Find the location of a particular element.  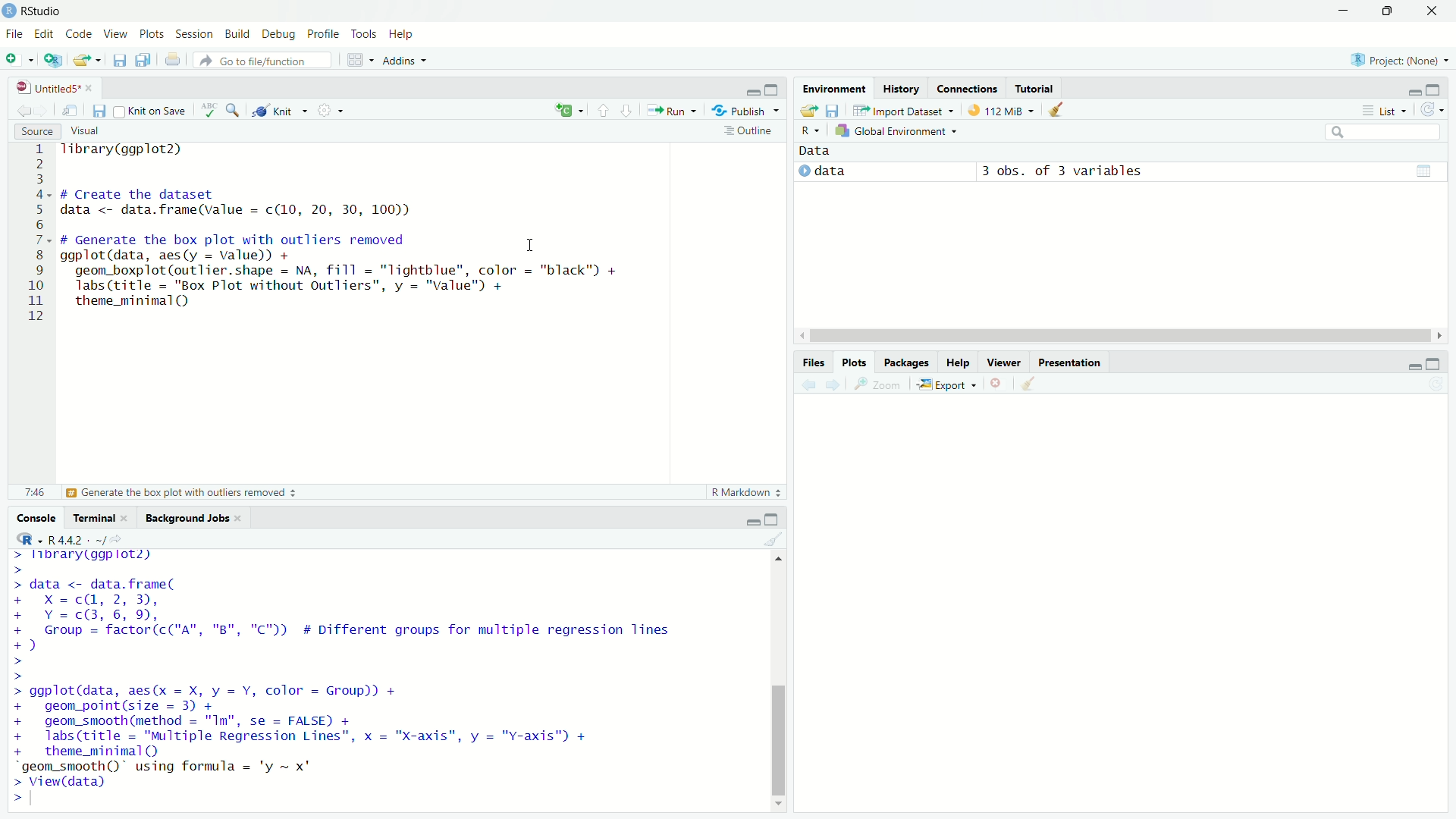

downward is located at coordinates (631, 111).